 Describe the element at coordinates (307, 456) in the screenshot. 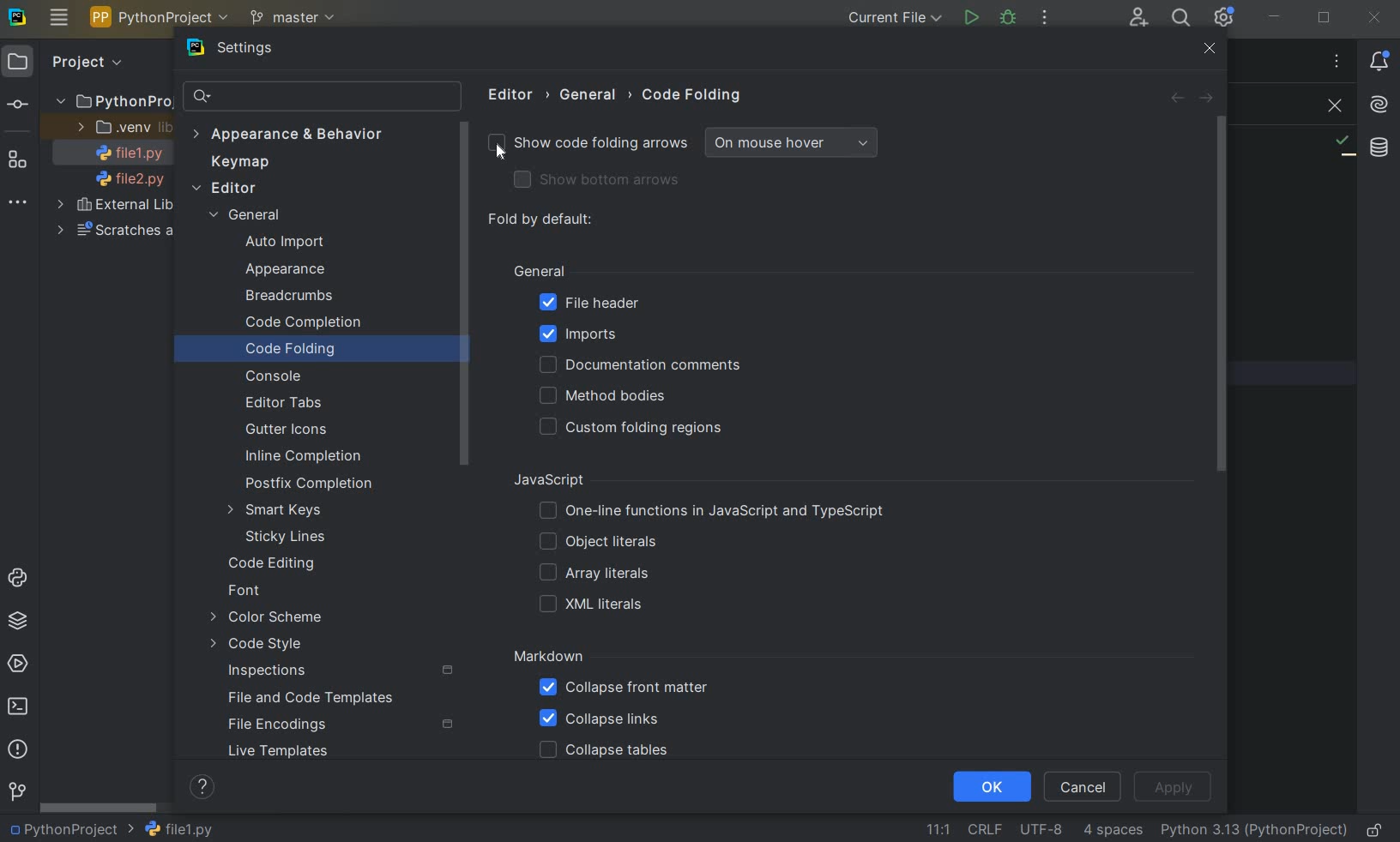

I see `INLINE COMPLETION` at that location.